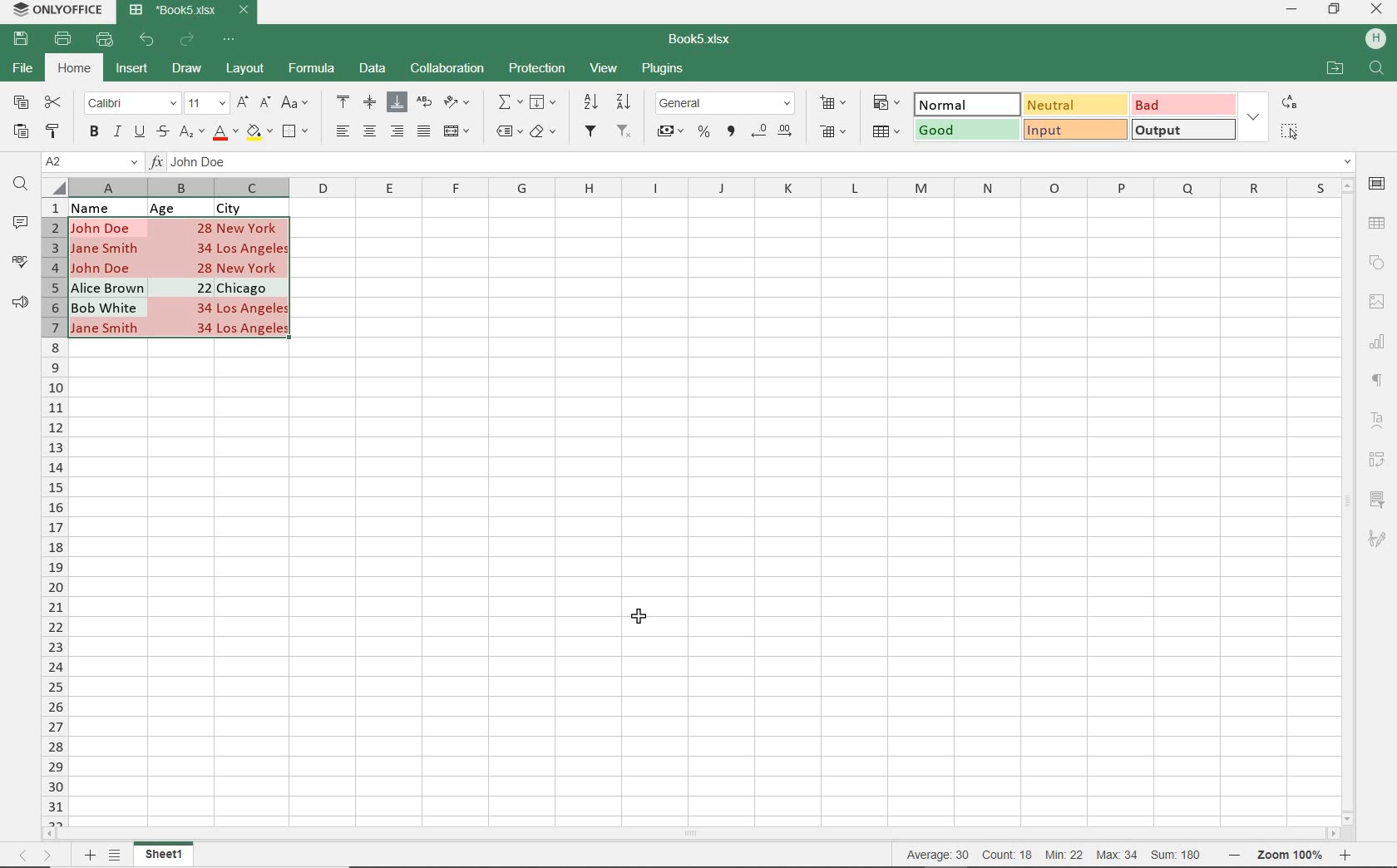 Image resolution: width=1397 pixels, height=868 pixels. What do you see at coordinates (87, 855) in the screenshot?
I see `Add sheets` at bounding box center [87, 855].